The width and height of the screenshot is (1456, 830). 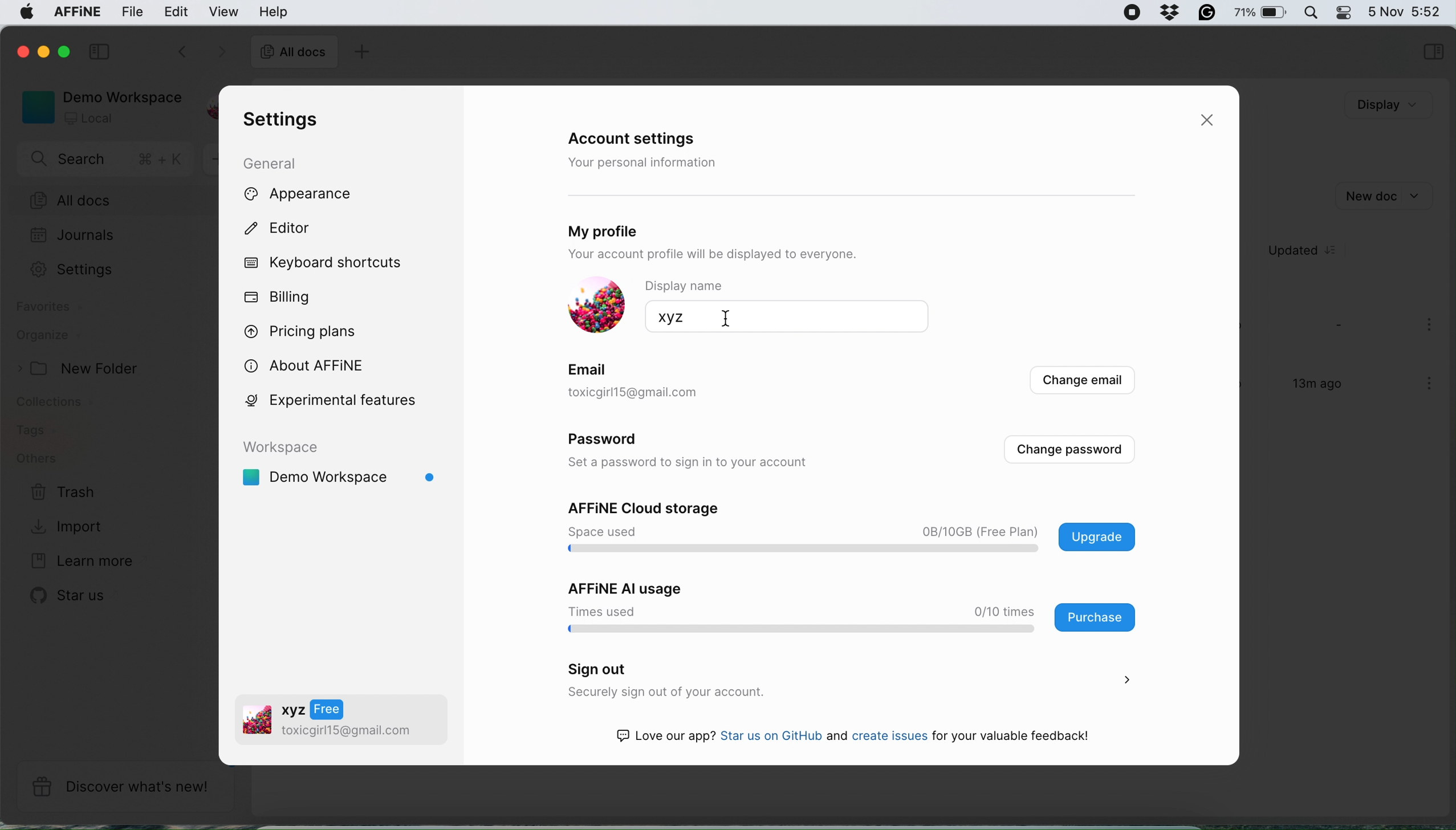 What do you see at coordinates (344, 469) in the screenshot?
I see `demo workspace` at bounding box center [344, 469].